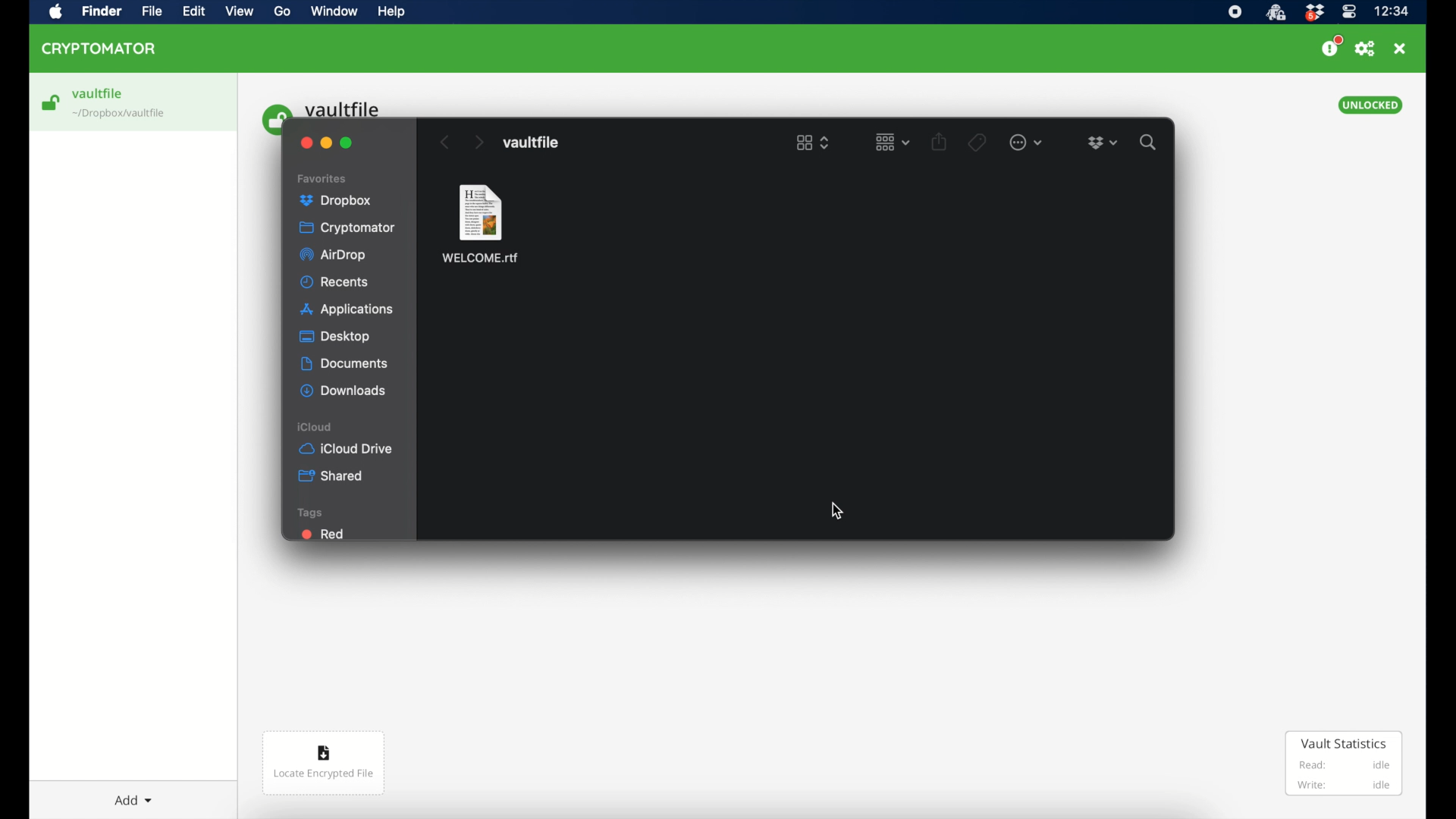  What do you see at coordinates (326, 143) in the screenshot?
I see `minimize` at bounding box center [326, 143].